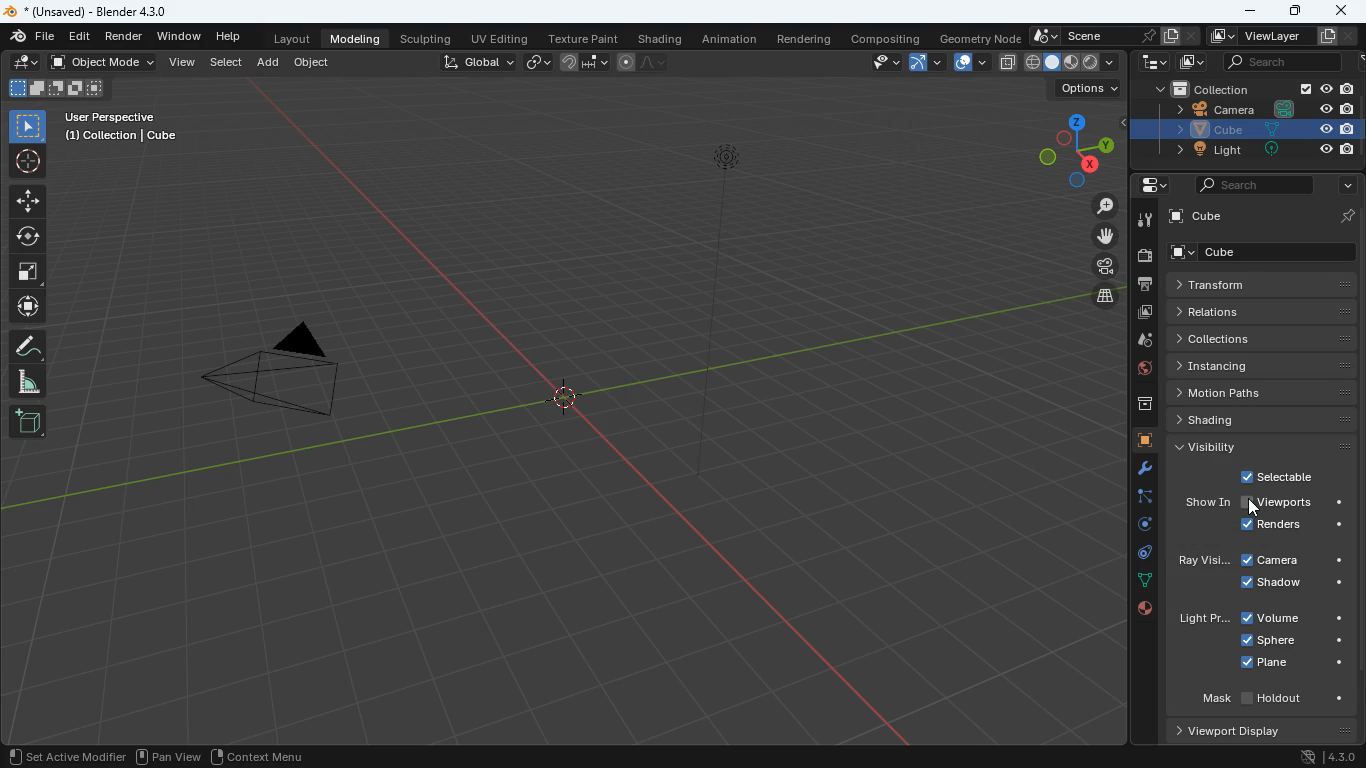  What do you see at coordinates (356, 38) in the screenshot?
I see `modeling` at bounding box center [356, 38].